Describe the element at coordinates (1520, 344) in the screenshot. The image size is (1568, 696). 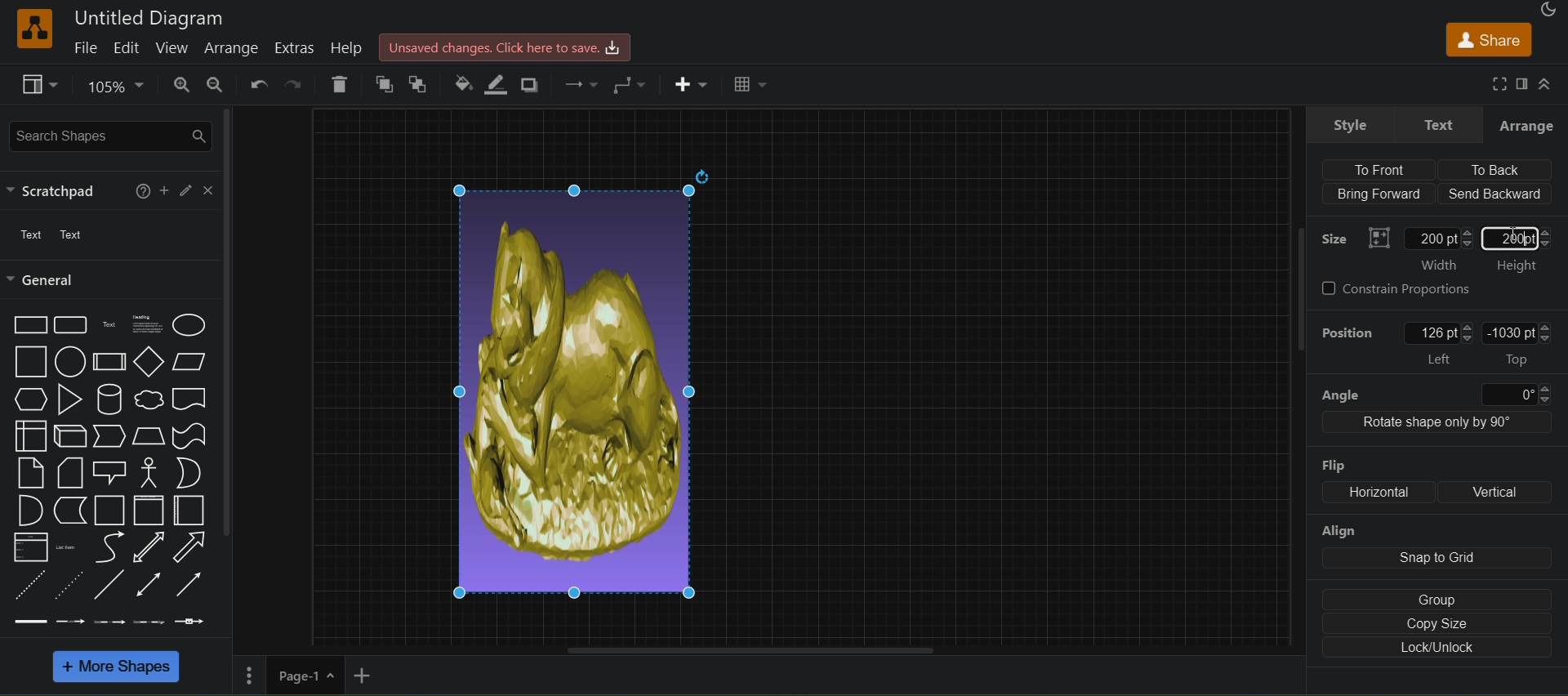
I see `-1030pt Top` at that location.